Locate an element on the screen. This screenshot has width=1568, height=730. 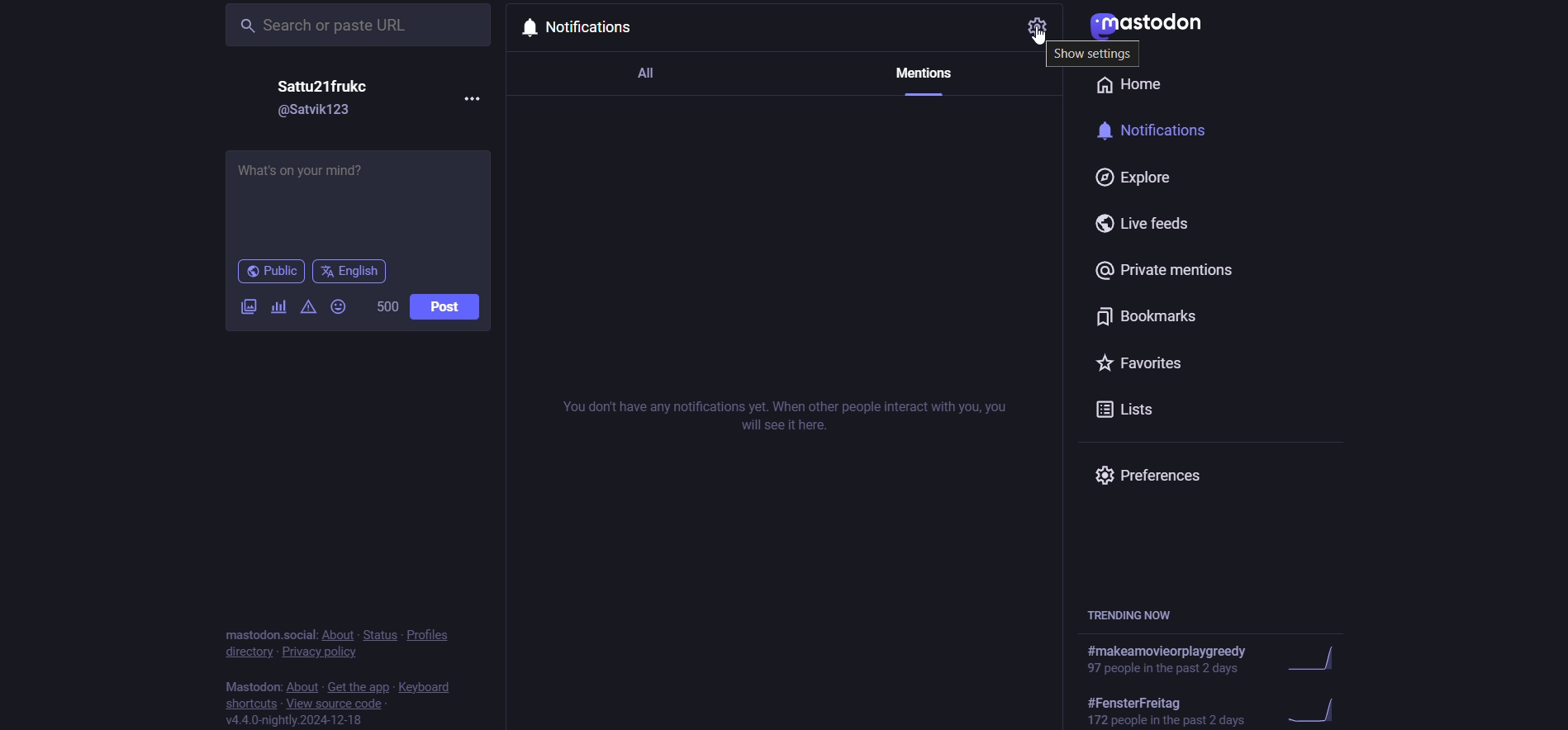
about is located at coordinates (339, 635).